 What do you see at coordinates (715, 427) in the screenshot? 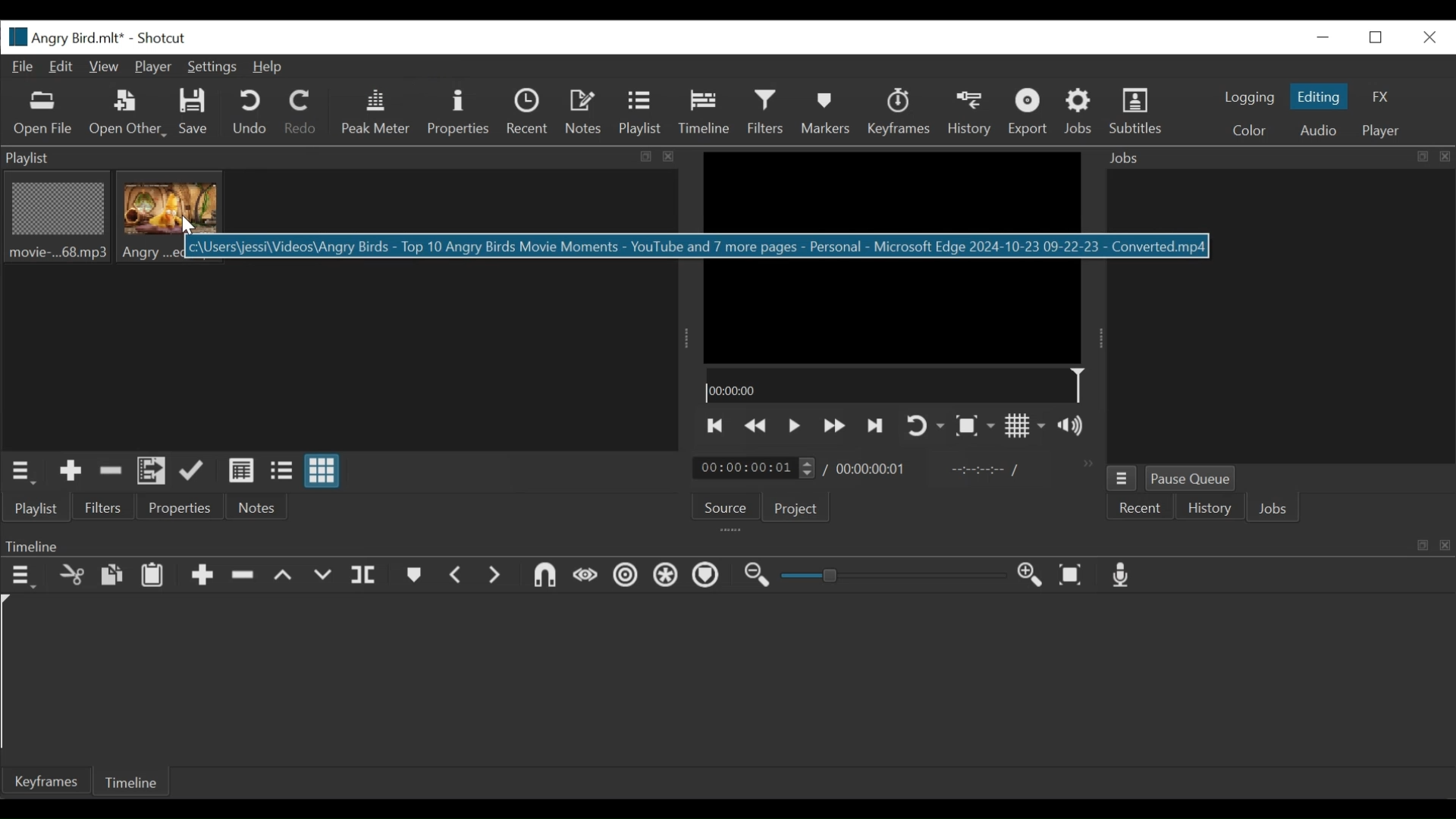
I see `Skip to the previous point` at bounding box center [715, 427].